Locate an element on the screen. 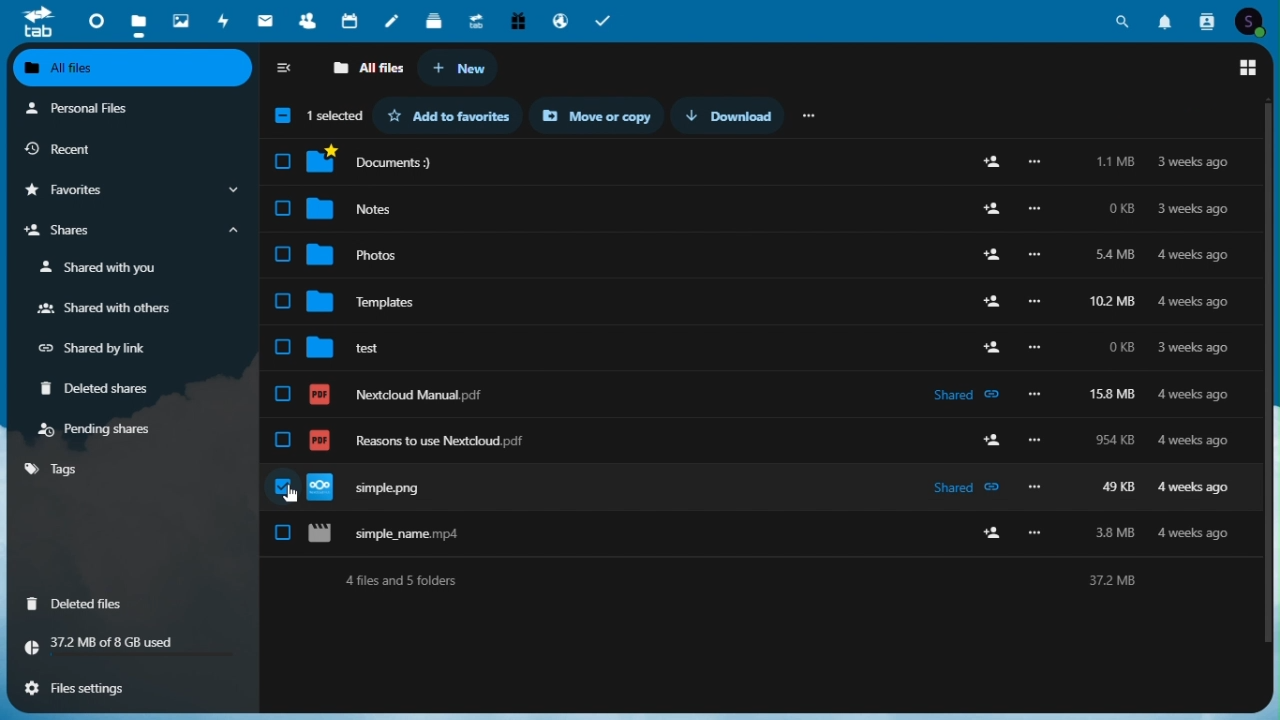  Notifications is located at coordinates (1165, 18).